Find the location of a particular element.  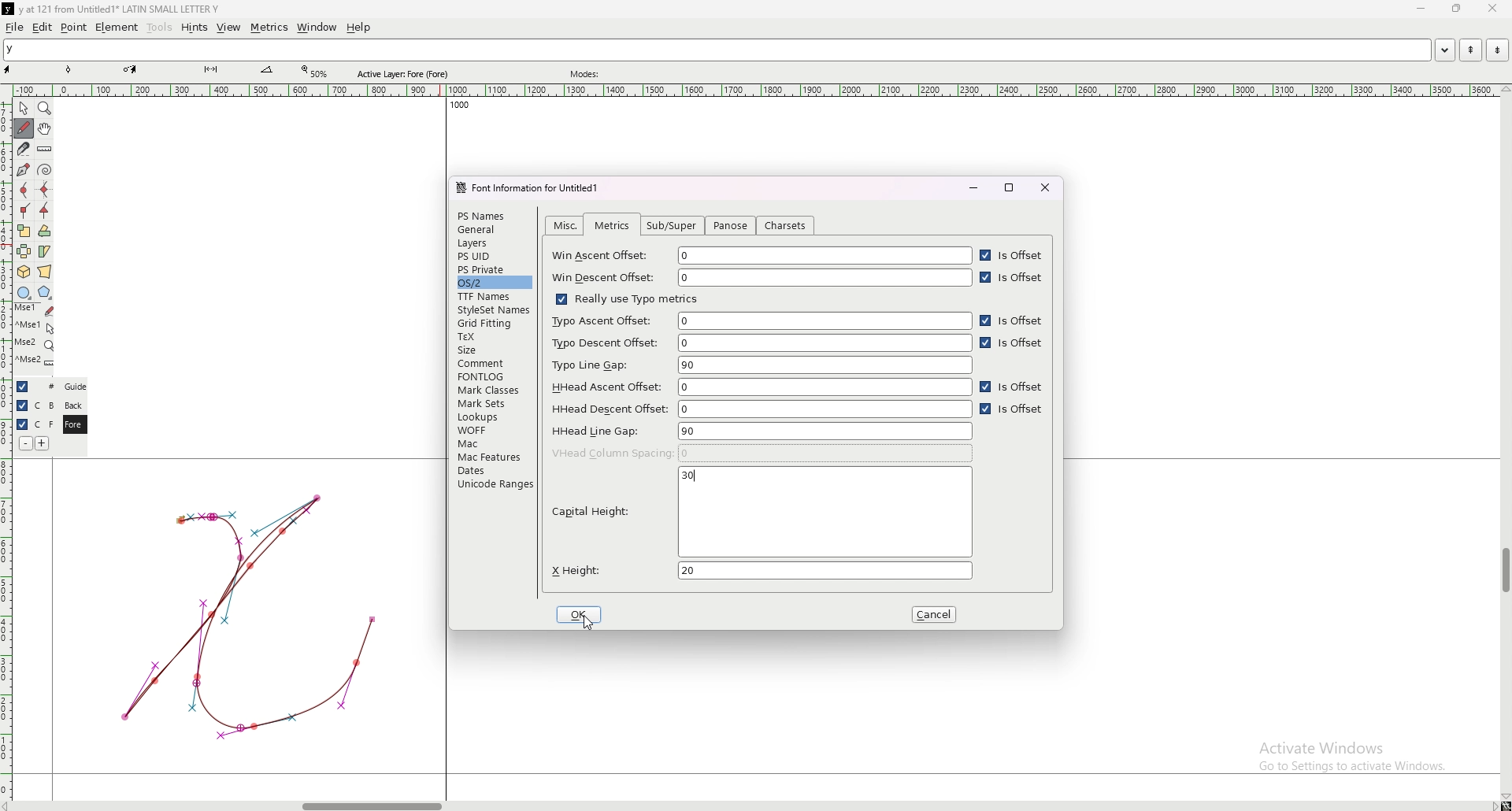

remove layer is located at coordinates (25, 443).